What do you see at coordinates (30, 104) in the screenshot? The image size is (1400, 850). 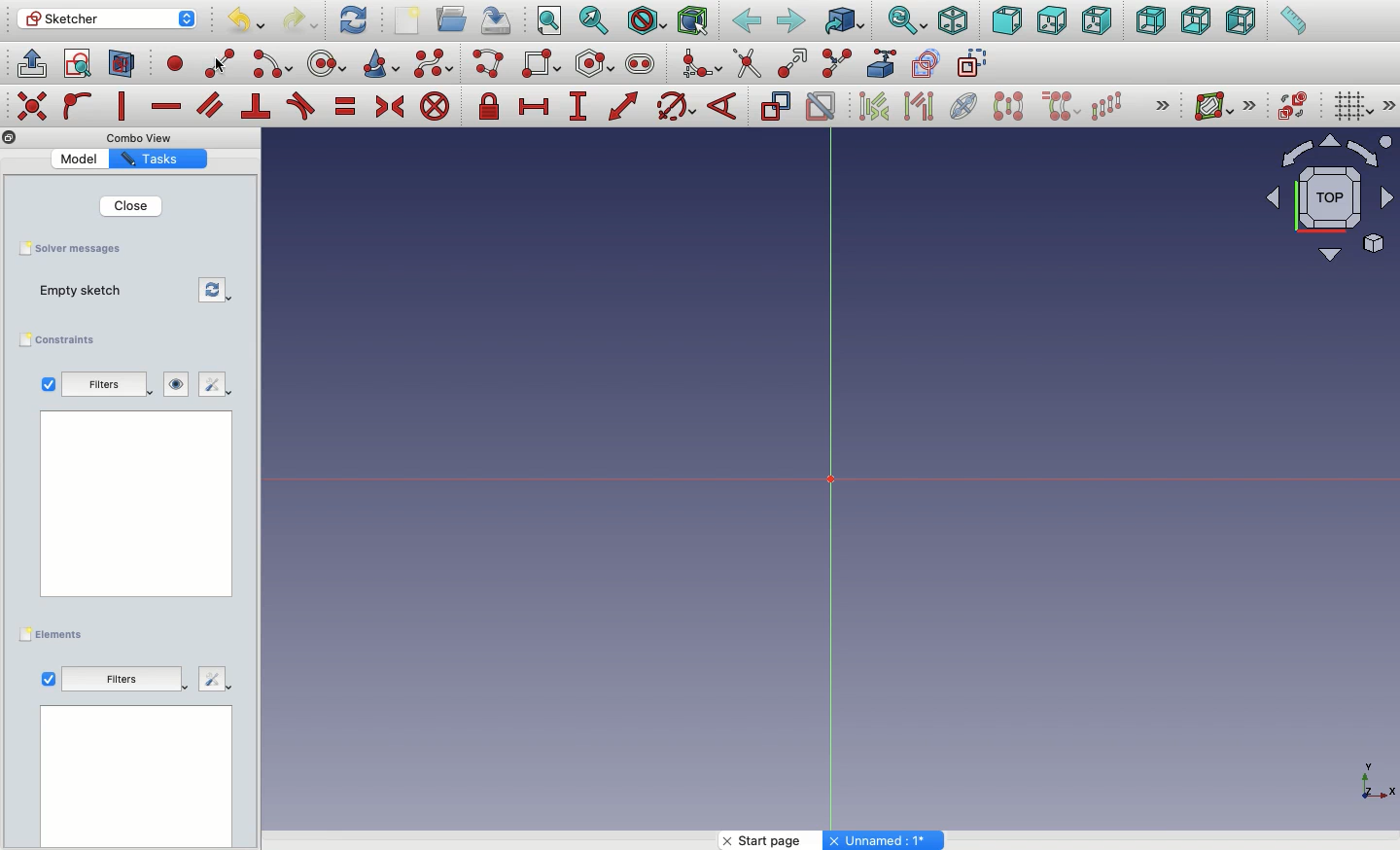 I see `` at bounding box center [30, 104].